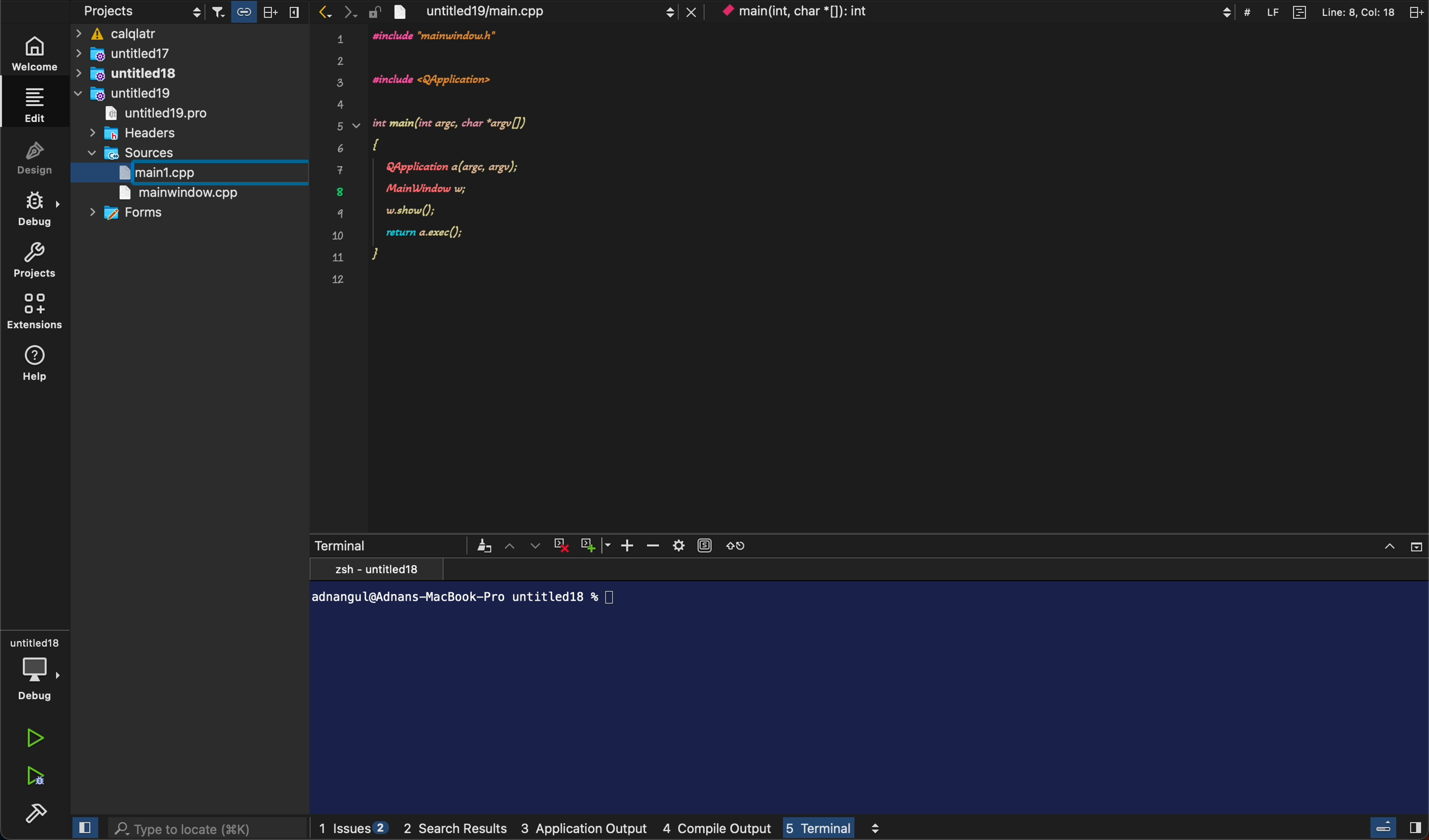 The height and width of the screenshot is (840, 1429). I want to click on close slide Bar, so click(1396, 827).